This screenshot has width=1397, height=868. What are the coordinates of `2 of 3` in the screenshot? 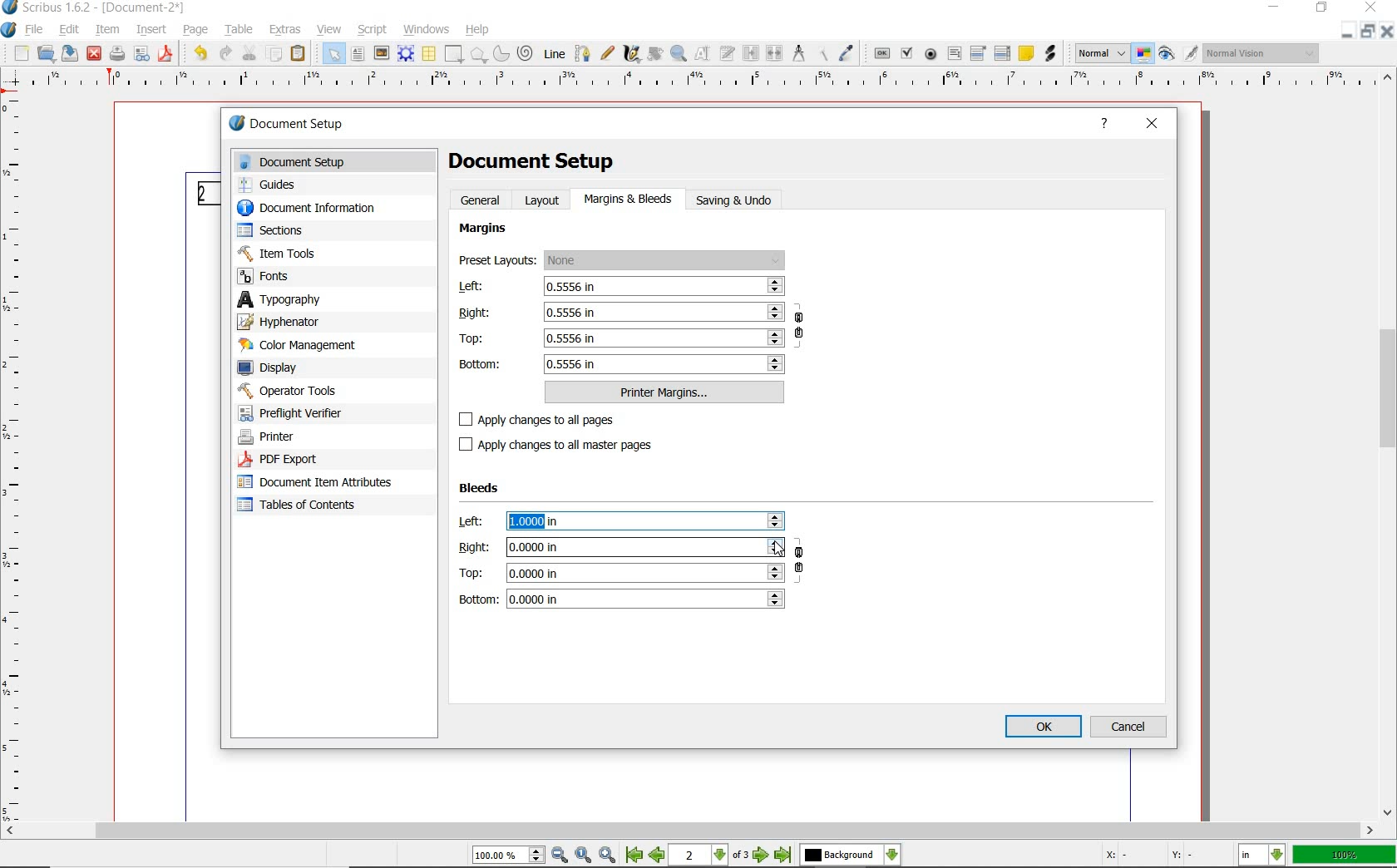 It's located at (711, 856).